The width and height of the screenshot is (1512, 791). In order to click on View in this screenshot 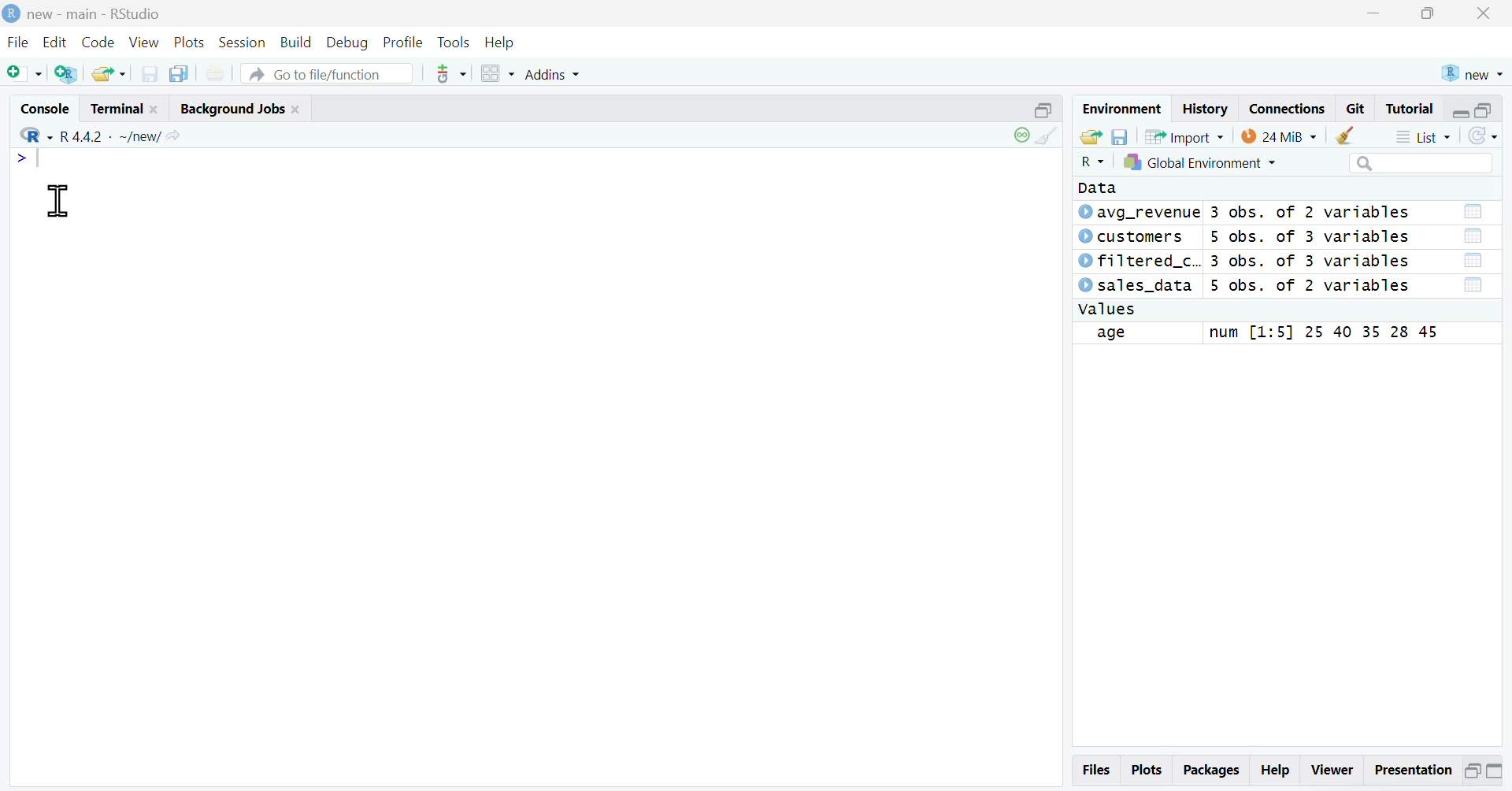, I will do `click(145, 43)`.